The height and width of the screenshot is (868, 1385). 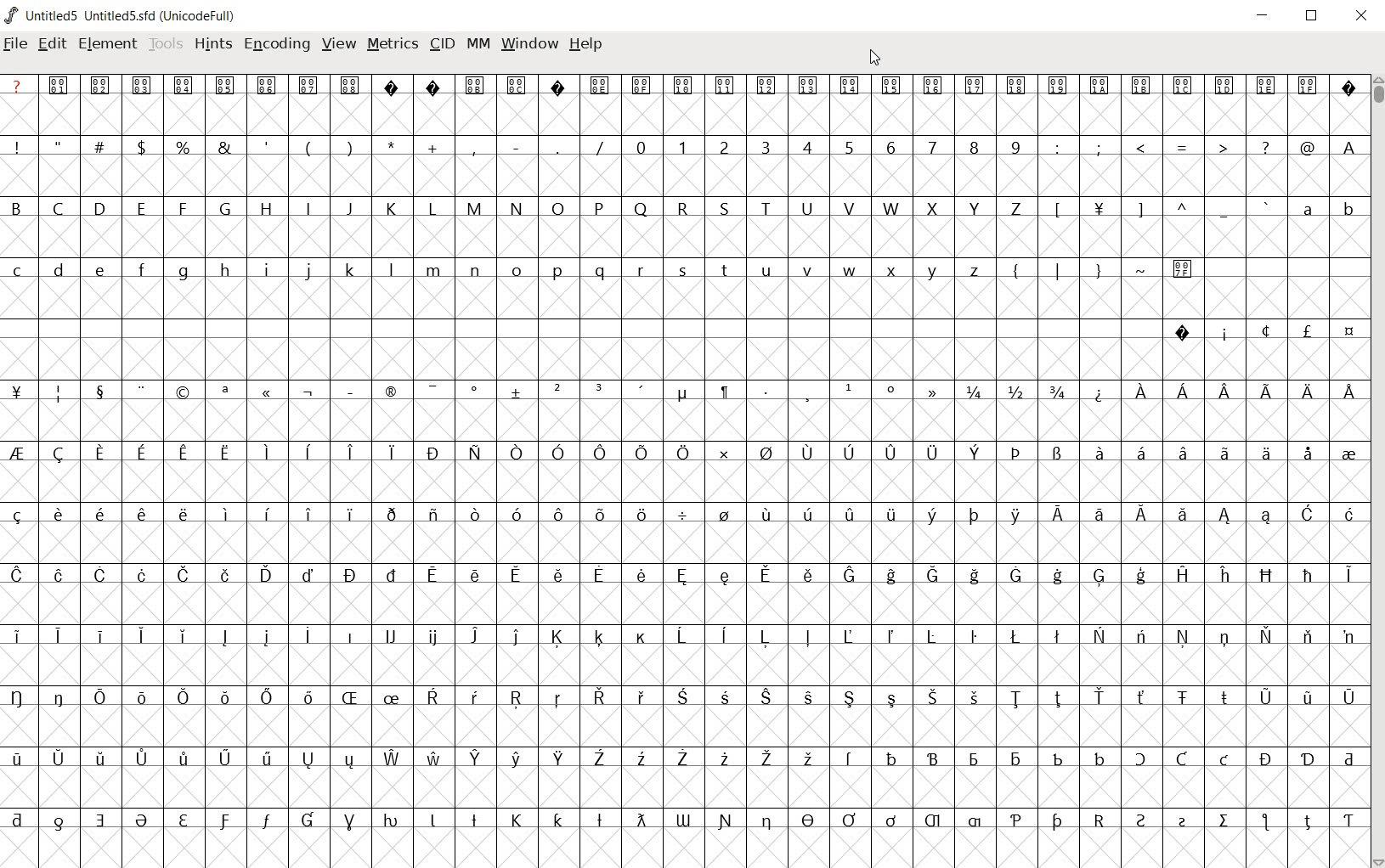 What do you see at coordinates (933, 697) in the screenshot?
I see `` at bounding box center [933, 697].